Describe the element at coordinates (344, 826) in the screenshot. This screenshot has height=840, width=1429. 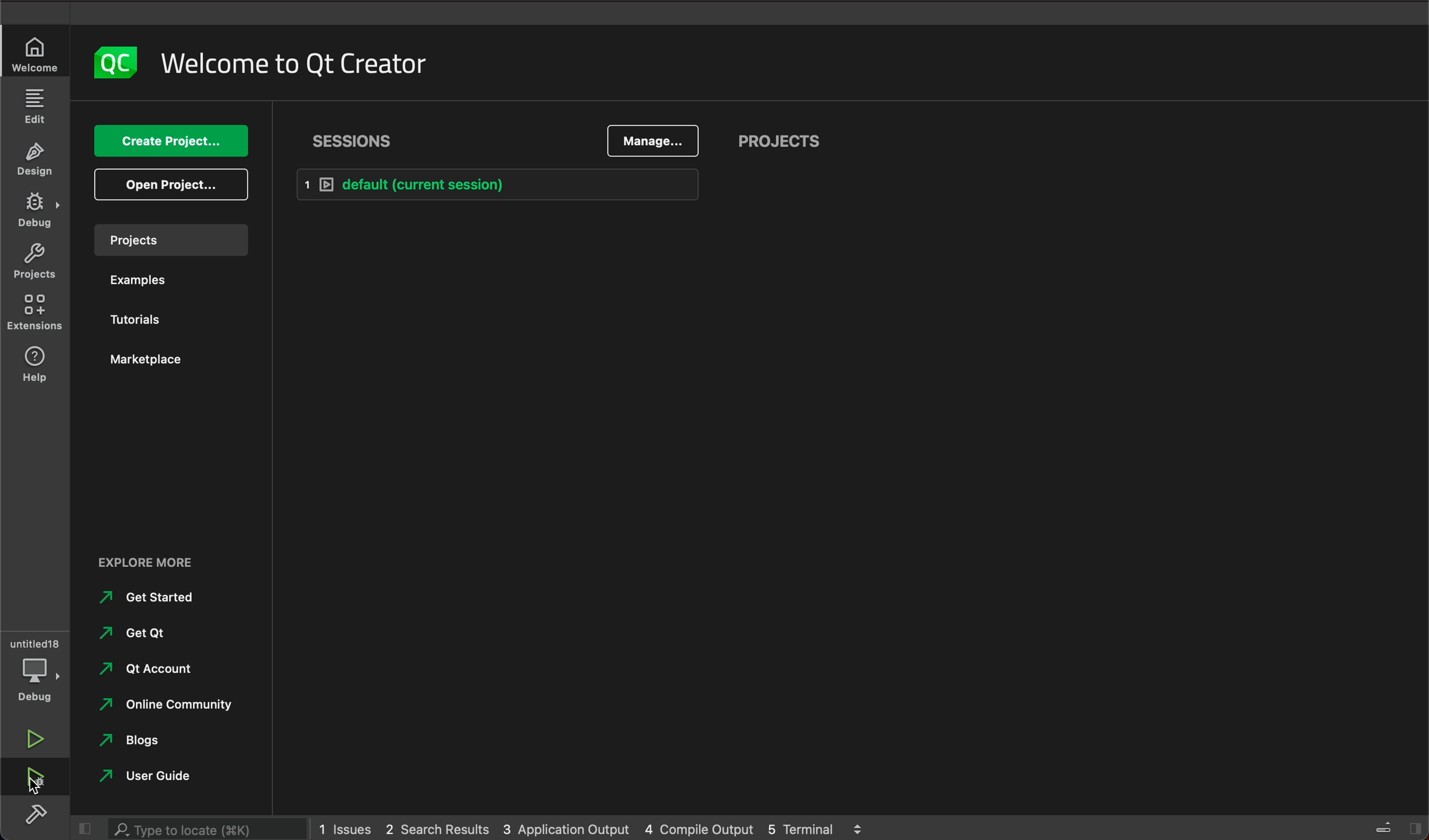
I see `1 issues` at that location.